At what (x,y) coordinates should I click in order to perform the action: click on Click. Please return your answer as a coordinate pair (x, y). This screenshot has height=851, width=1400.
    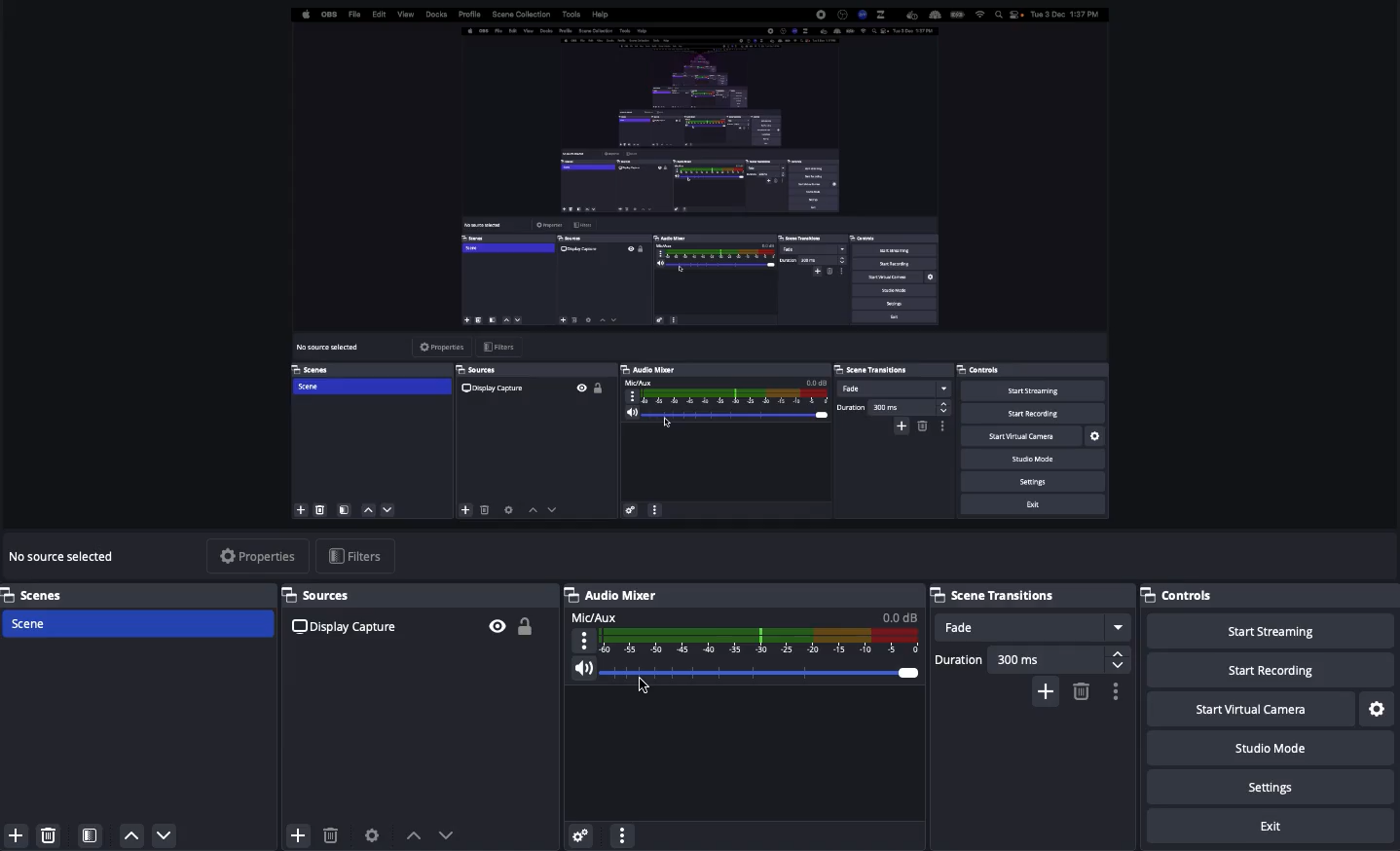
    Looking at the image, I should click on (642, 687).